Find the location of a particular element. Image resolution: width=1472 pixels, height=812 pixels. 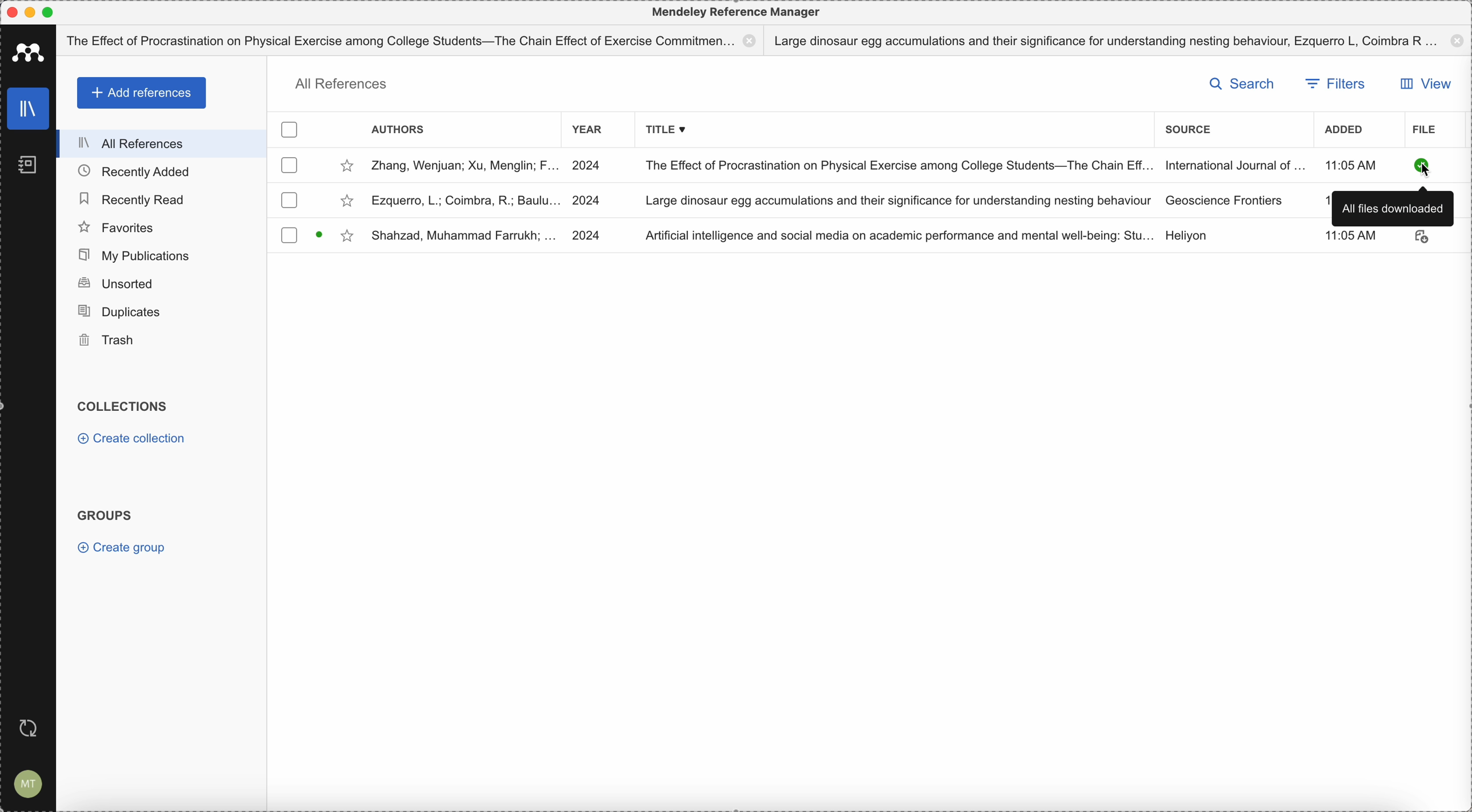

download file is located at coordinates (1419, 239).